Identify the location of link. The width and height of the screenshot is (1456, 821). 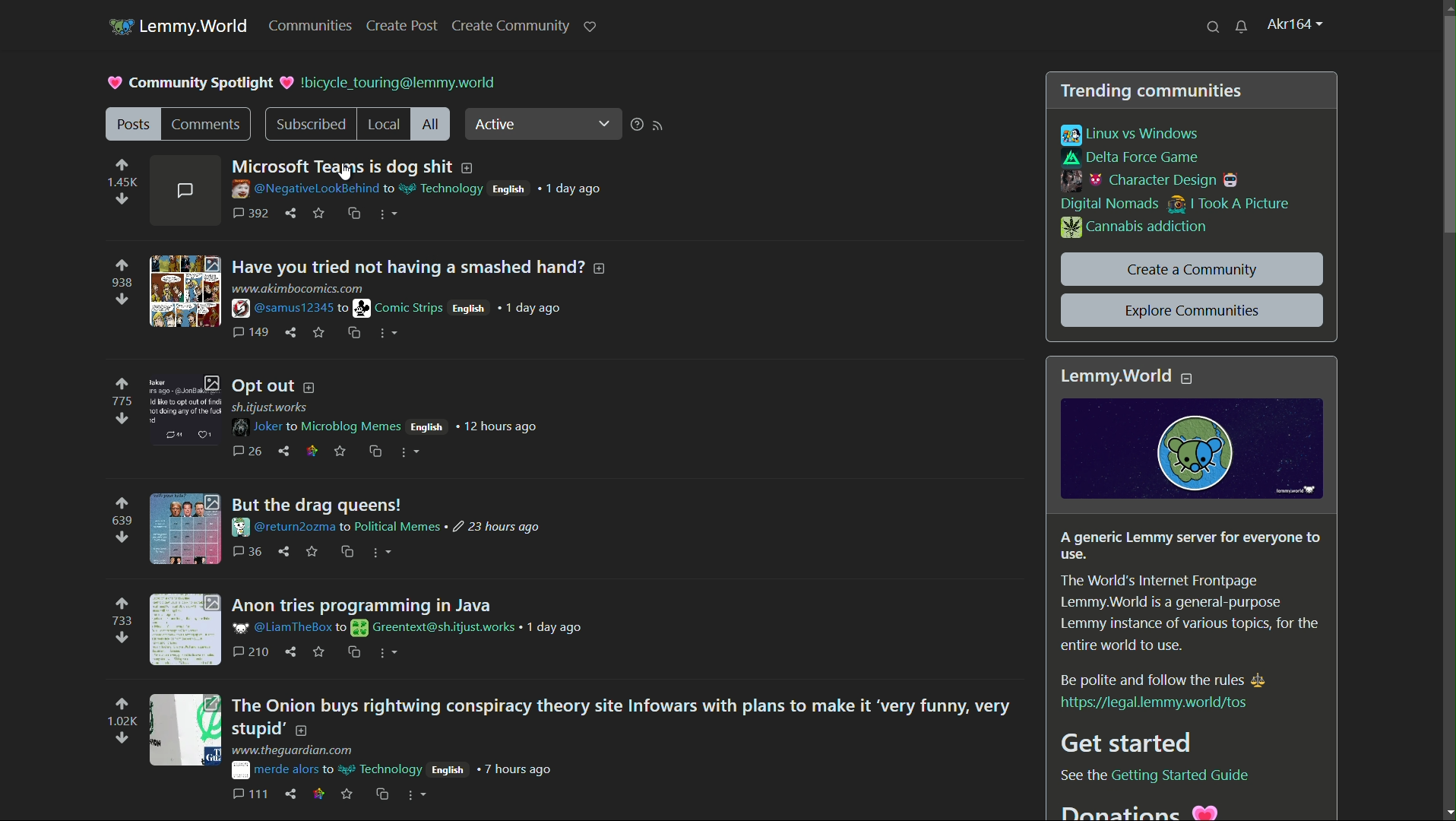
(1152, 775).